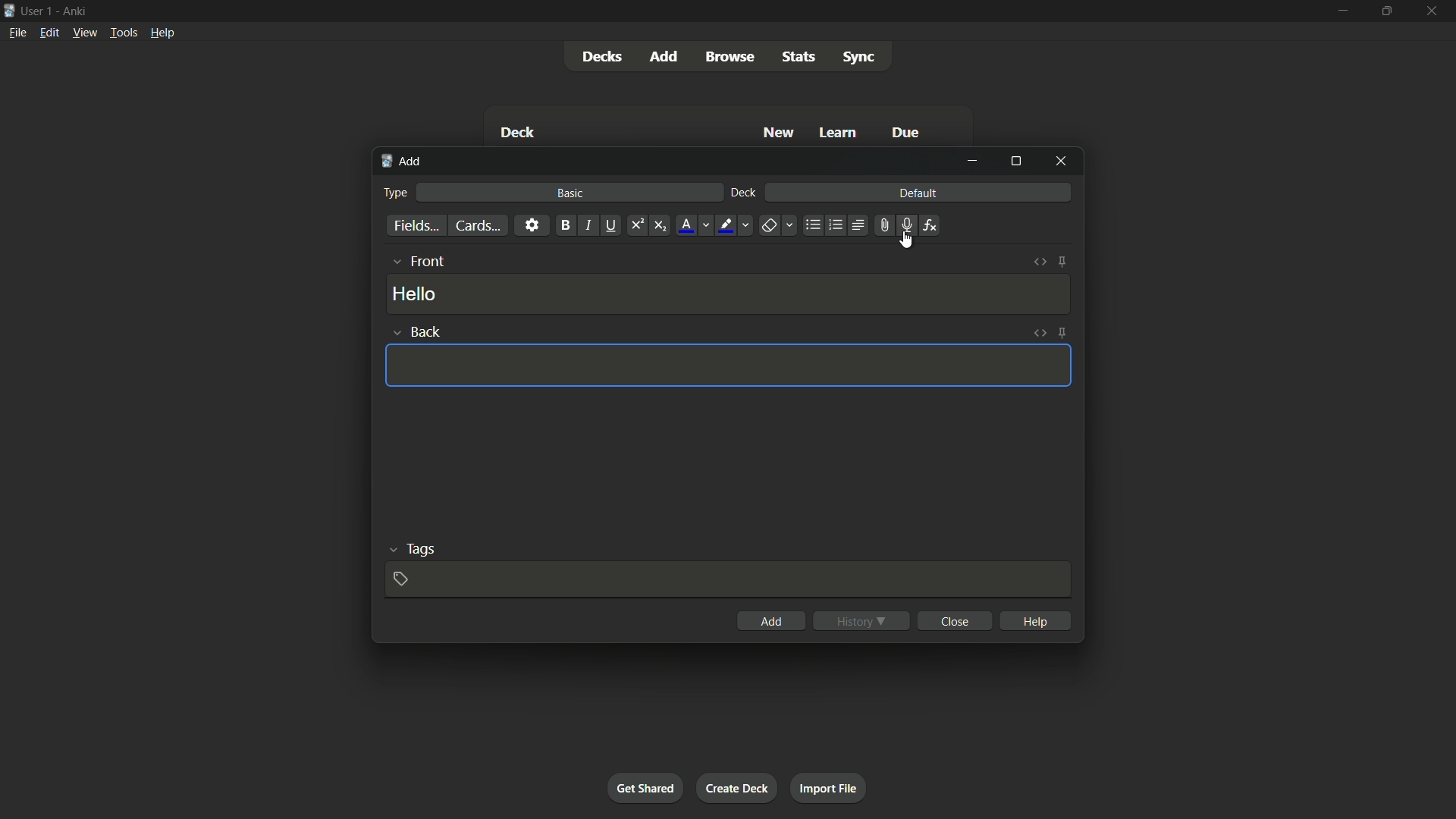 This screenshot has width=1456, height=819. I want to click on app icon, so click(9, 9).